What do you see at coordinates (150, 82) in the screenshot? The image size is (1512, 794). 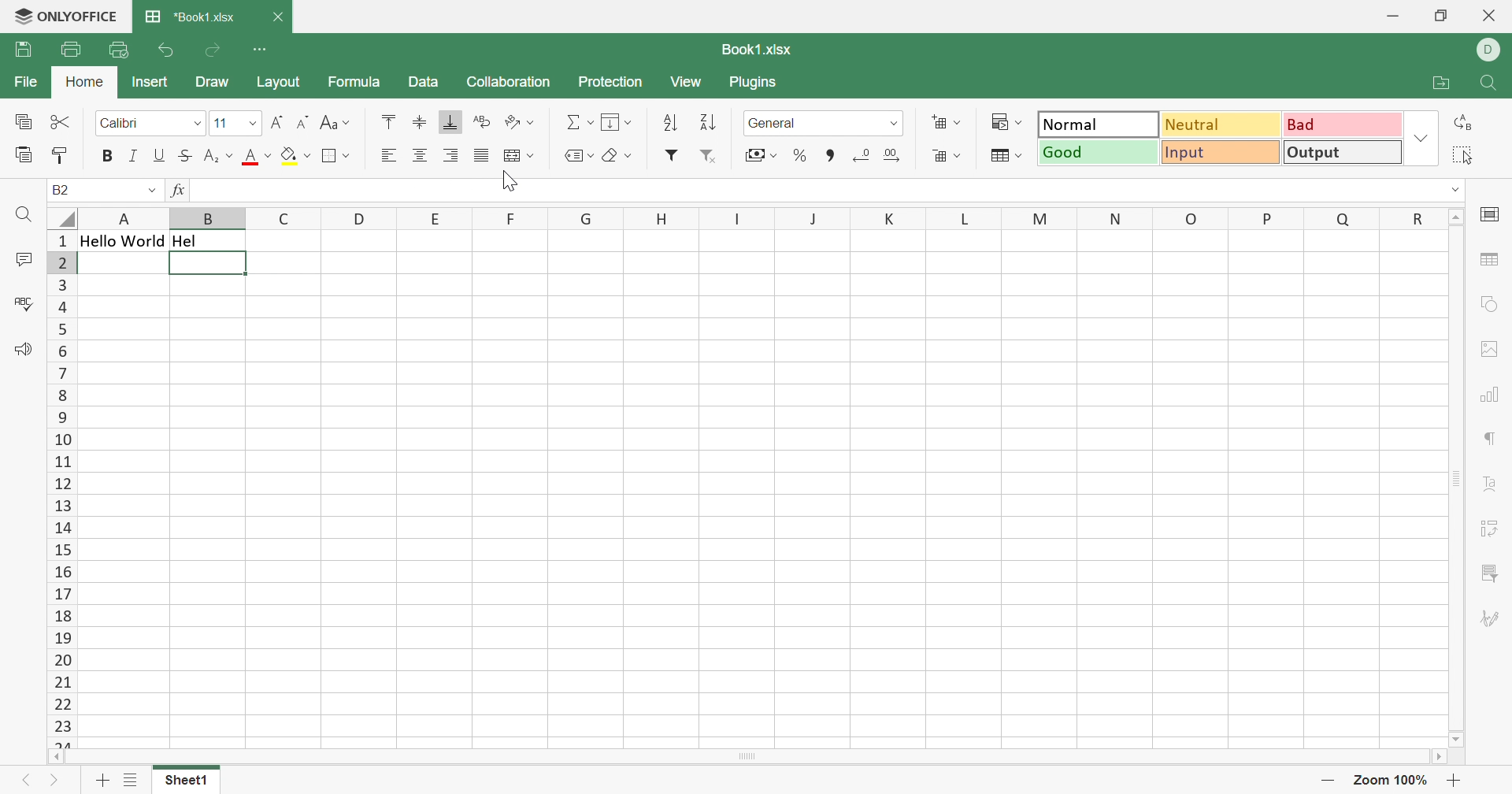 I see `Insert` at bounding box center [150, 82].